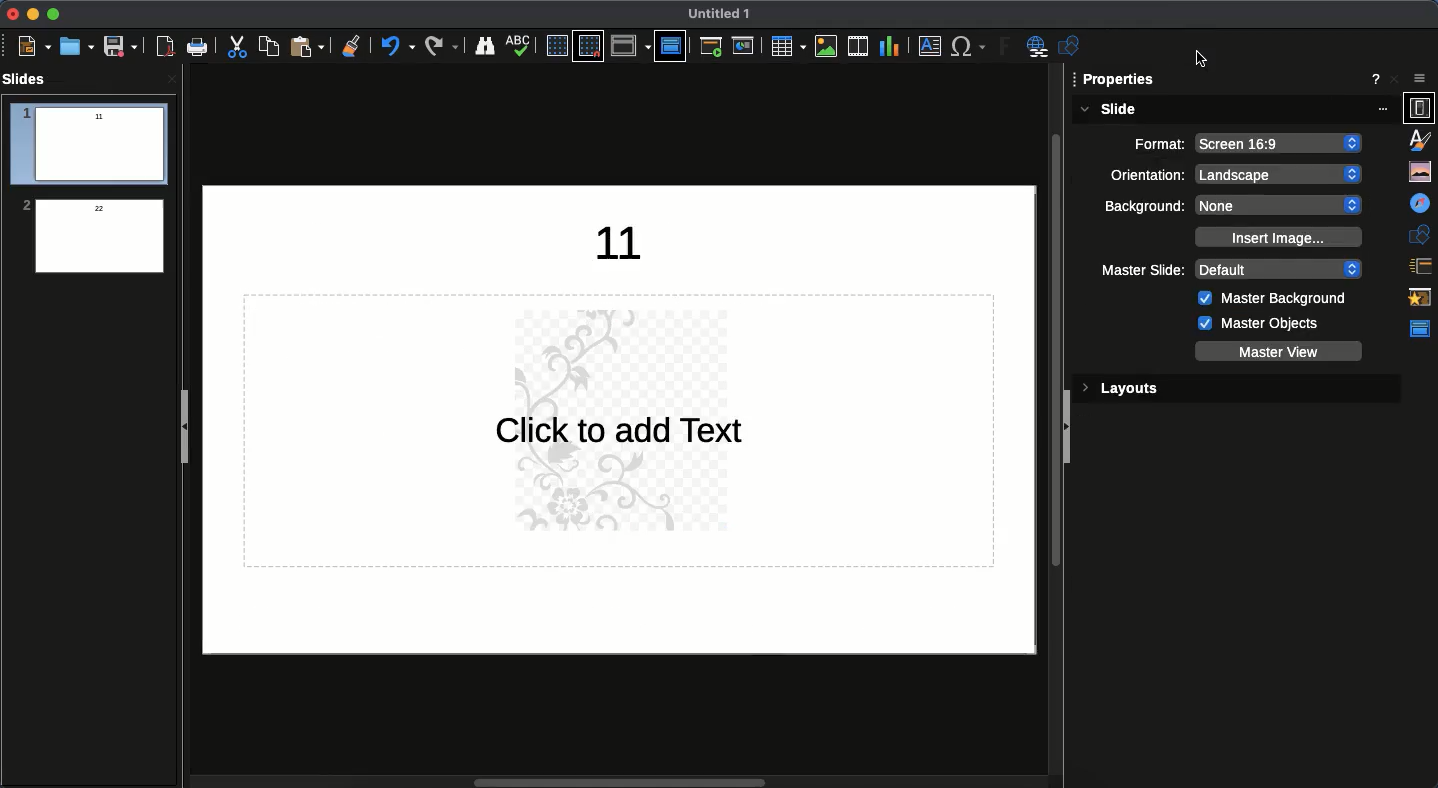 This screenshot has width=1438, height=788. What do you see at coordinates (88, 232) in the screenshot?
I see `Watermark added` at bounding box center [88, 232].